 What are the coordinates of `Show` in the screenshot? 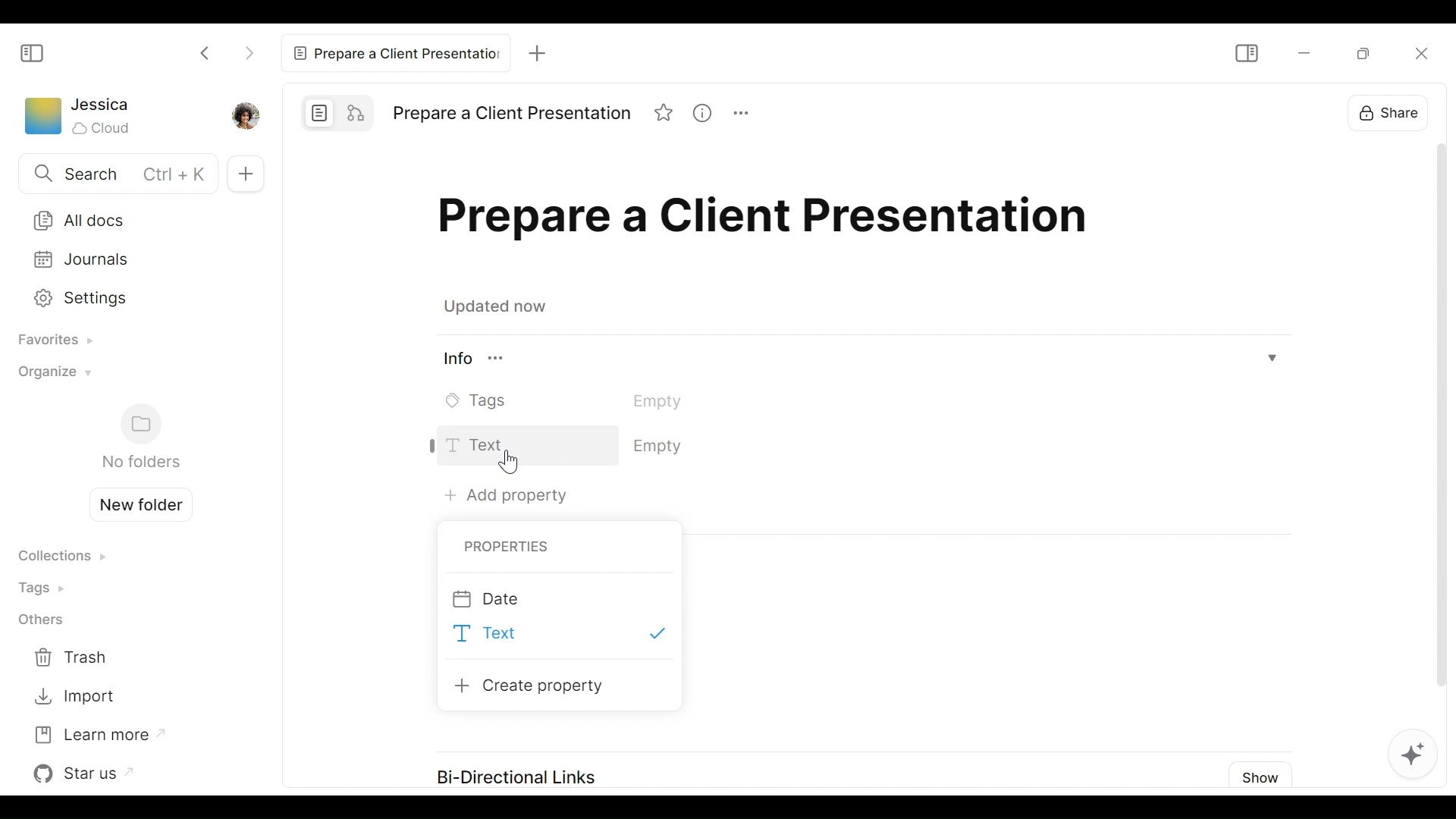 It's located at (1241, 775).